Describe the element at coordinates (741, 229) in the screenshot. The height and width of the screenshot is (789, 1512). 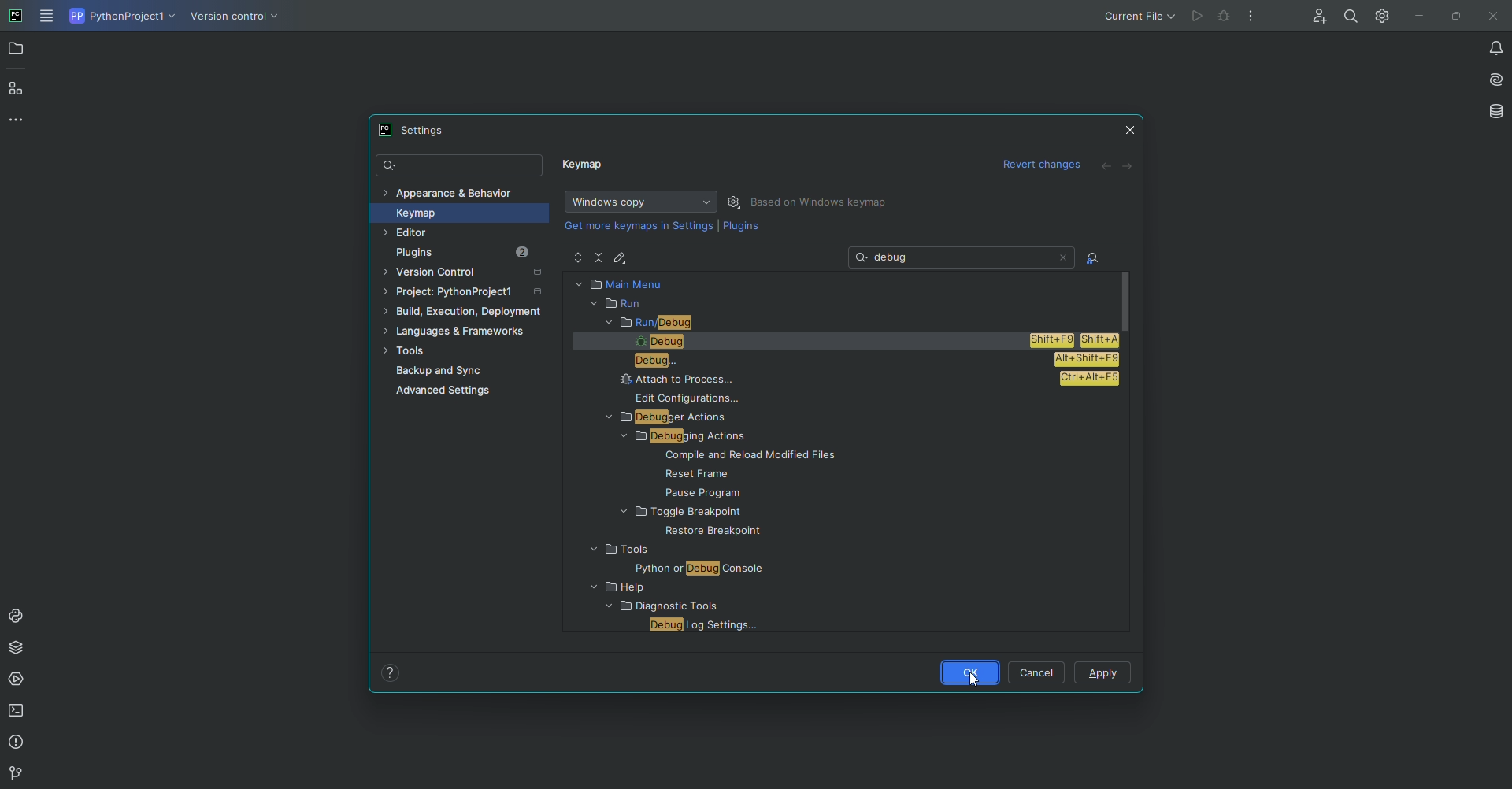
I see `Plugins` at that location.